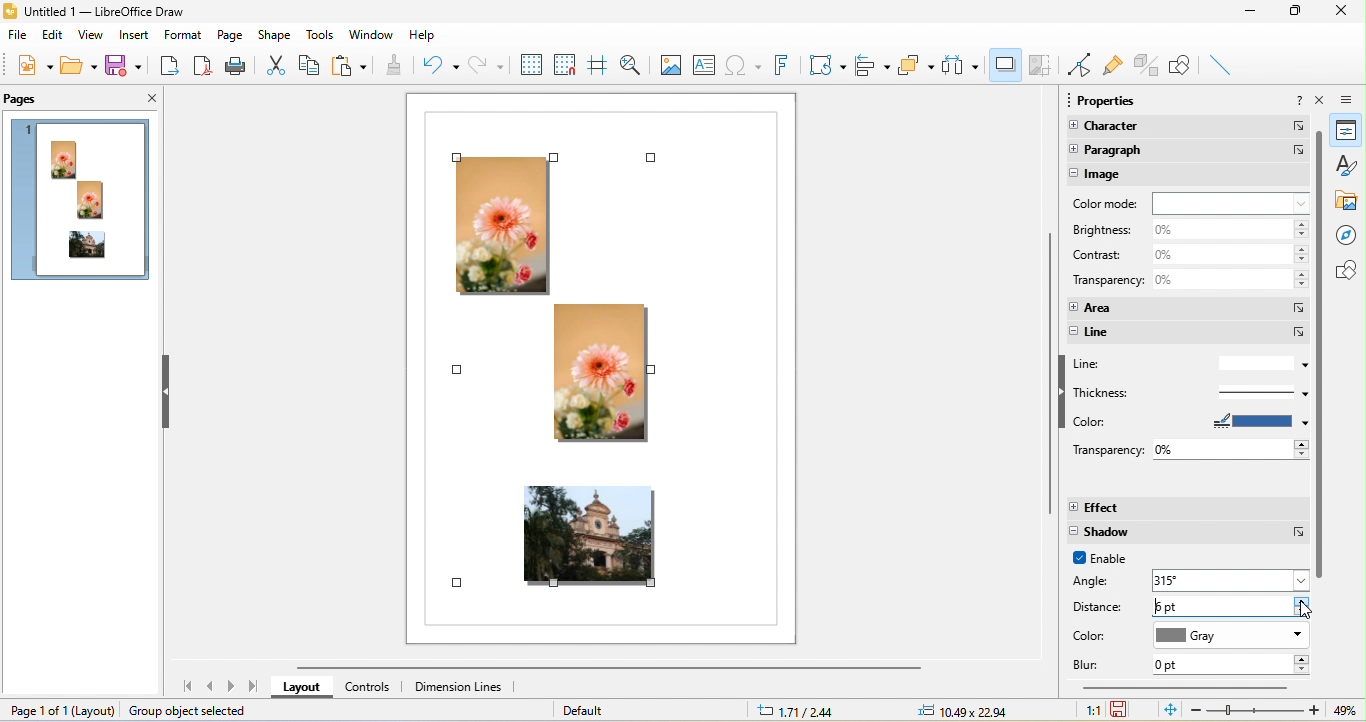 Image resolution: width=1366 pixels, height=722 pixels. Describe the element at coordinates (1109, 560) in the screenshot. I see `enable` at that location.